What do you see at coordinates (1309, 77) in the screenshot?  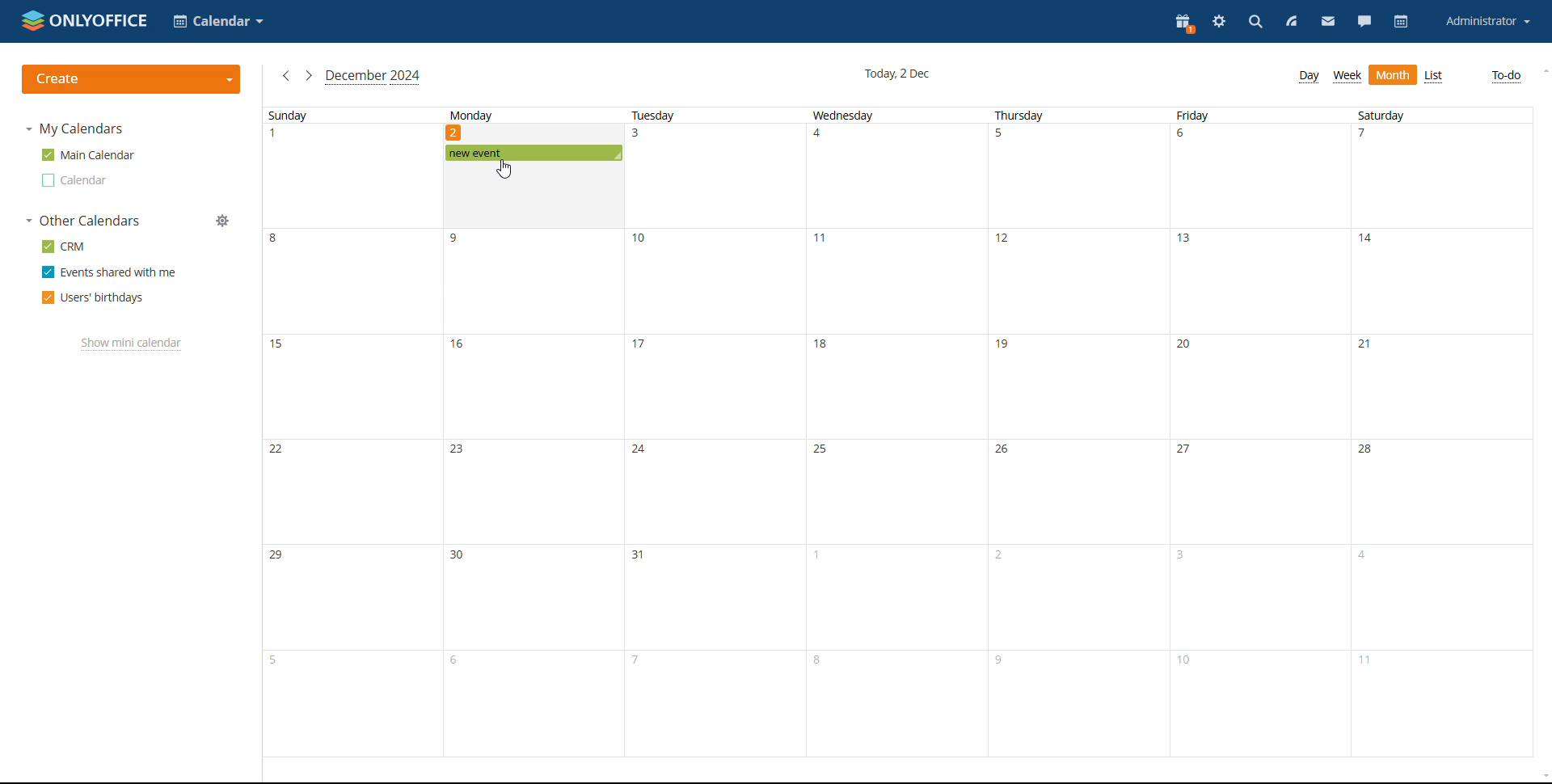 I see `day view` at bounding box center [1309, 77].